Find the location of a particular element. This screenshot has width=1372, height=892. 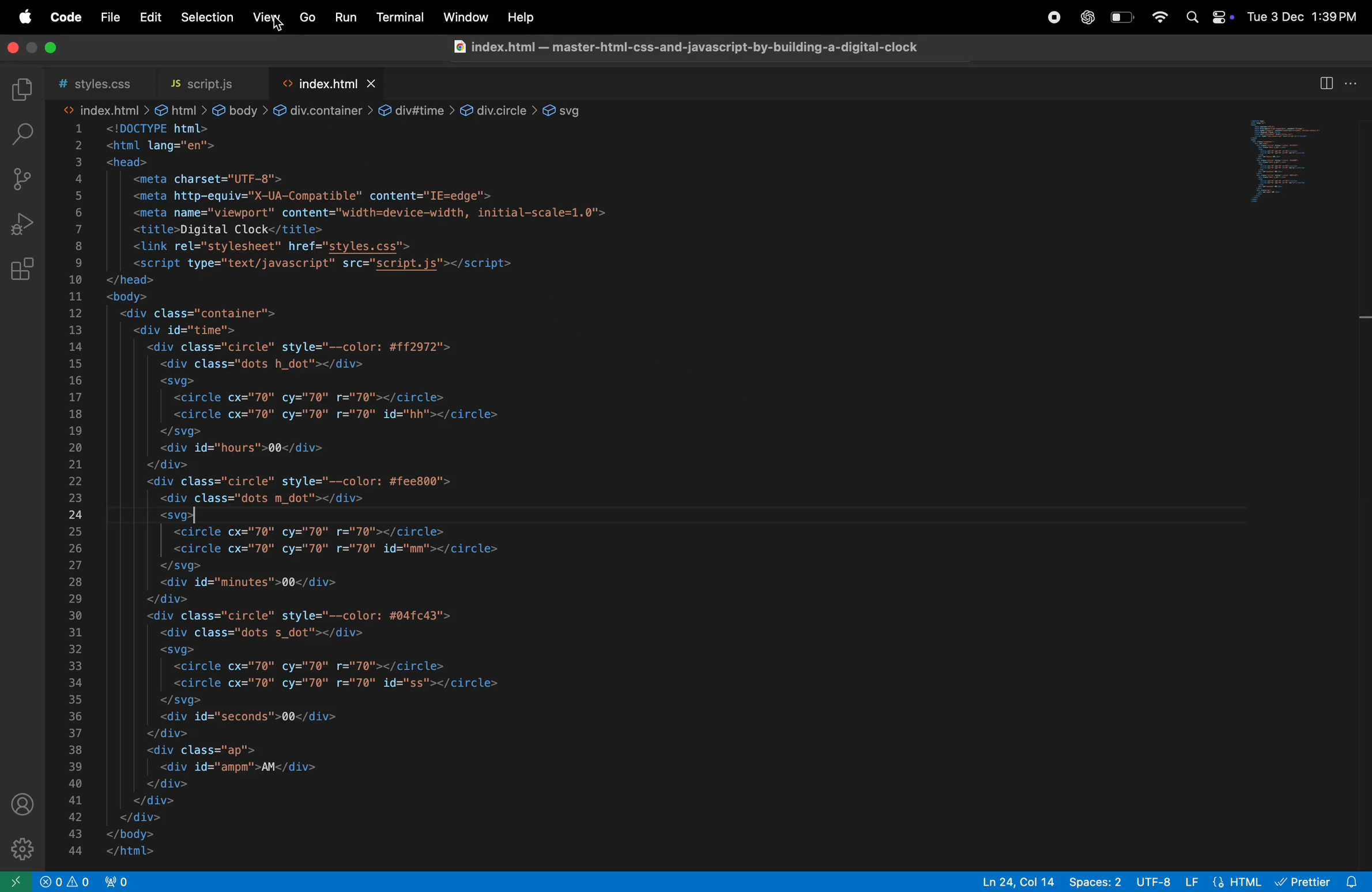

settings is located at coordinates (24, 846).